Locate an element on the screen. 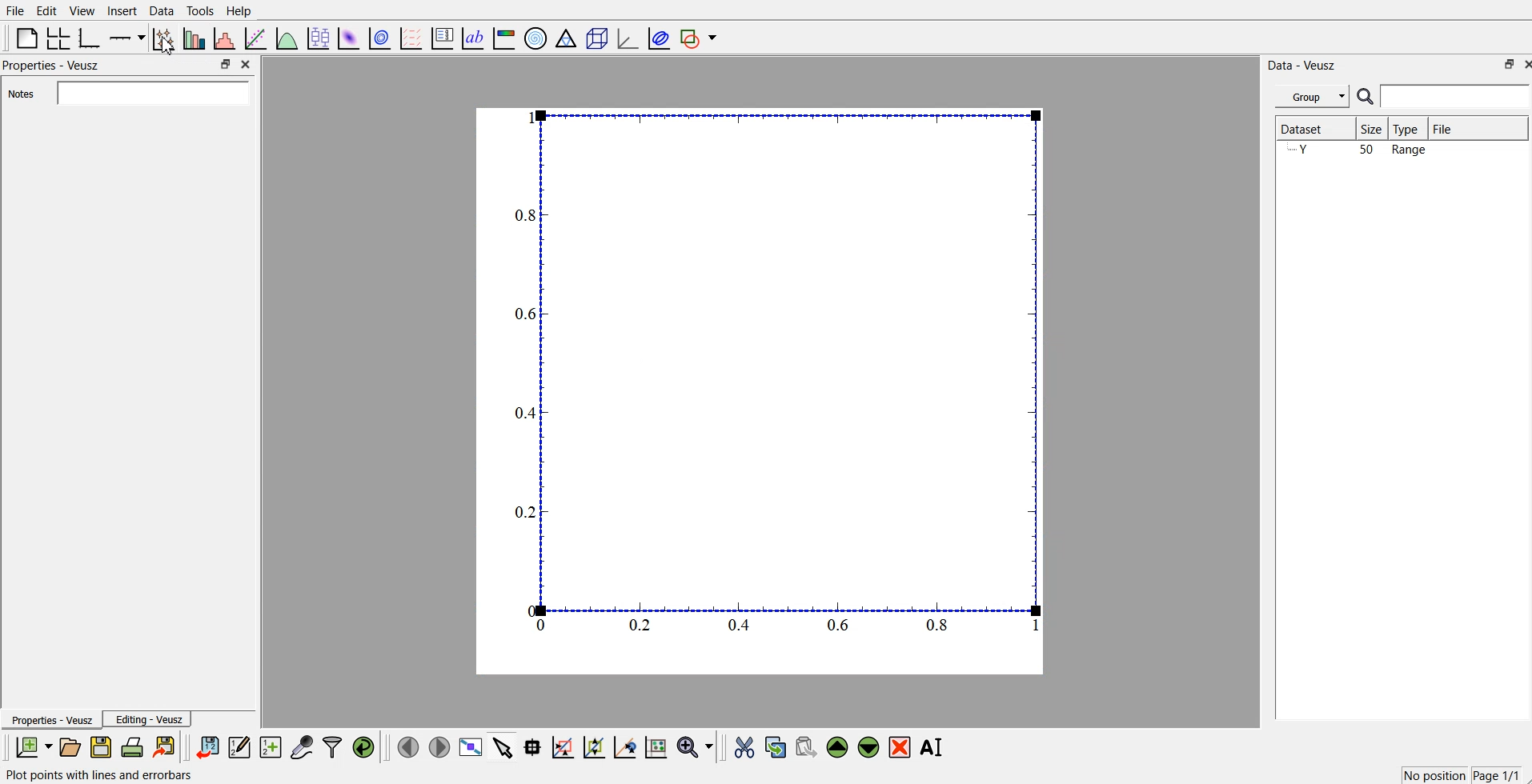  view data points full screen is located at coordinates (468, 748).